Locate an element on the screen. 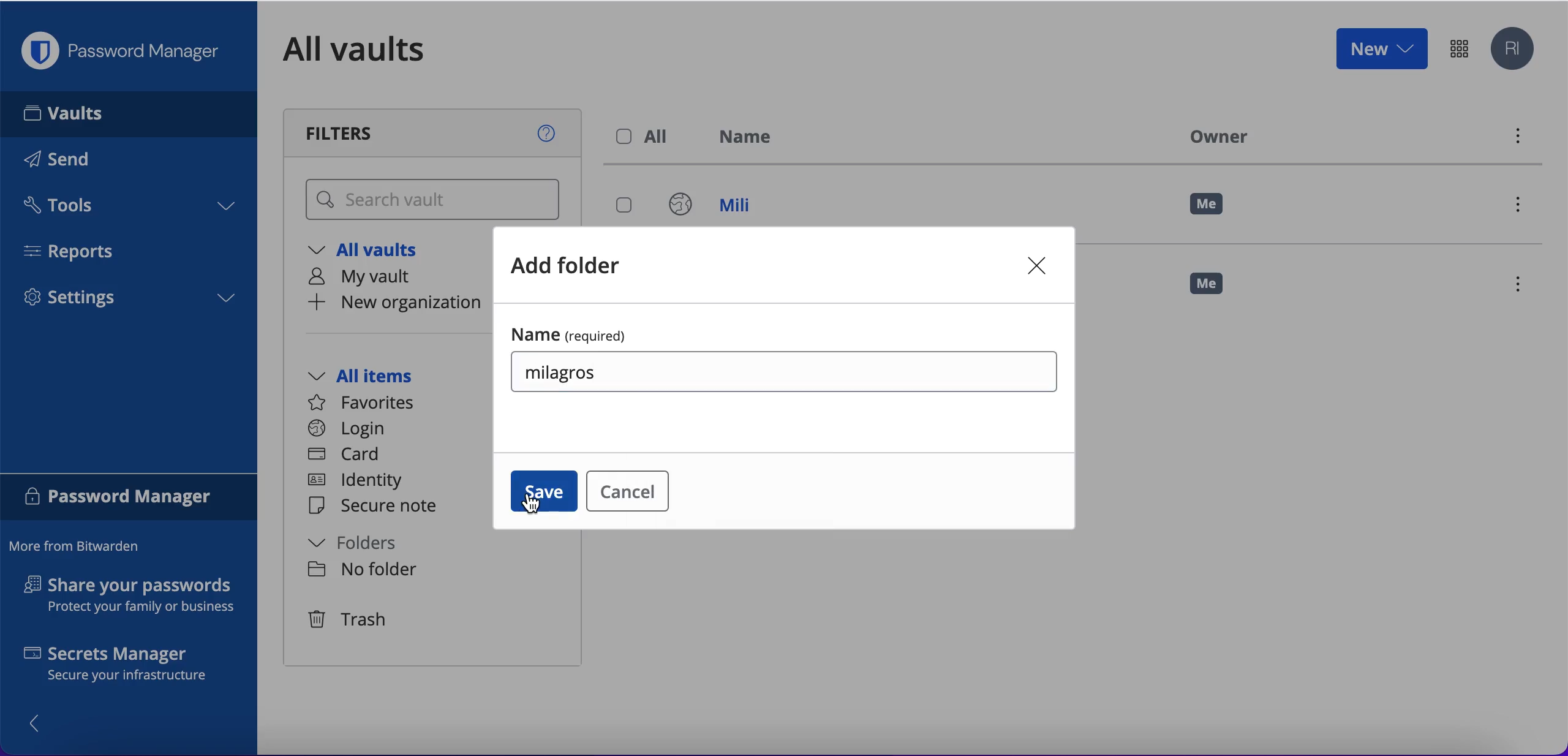 Image resolution: width=1568 pixels, height=756 pixels. no folder is located at coordinates (363, 570).